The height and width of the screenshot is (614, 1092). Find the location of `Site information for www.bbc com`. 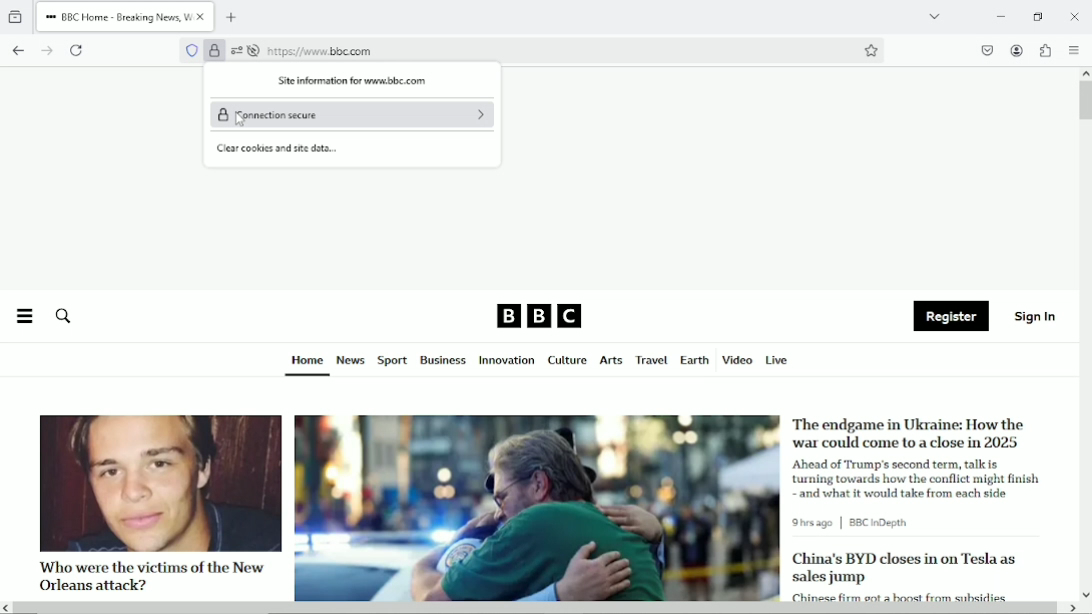

Site information for www.bbc com is located at coordinates (349, 82).